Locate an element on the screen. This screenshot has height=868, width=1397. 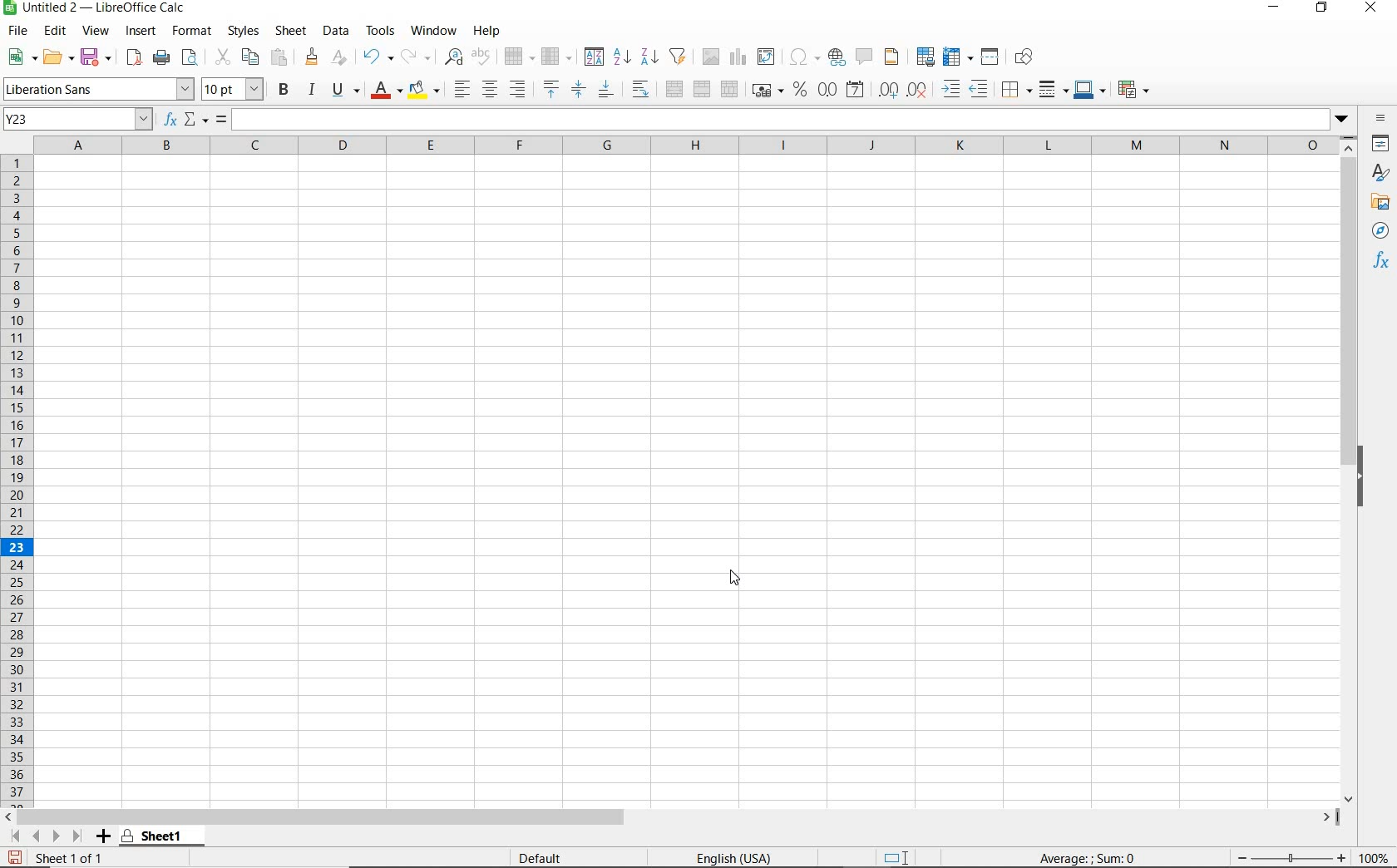
DATA is located at coordinates (336, 32).